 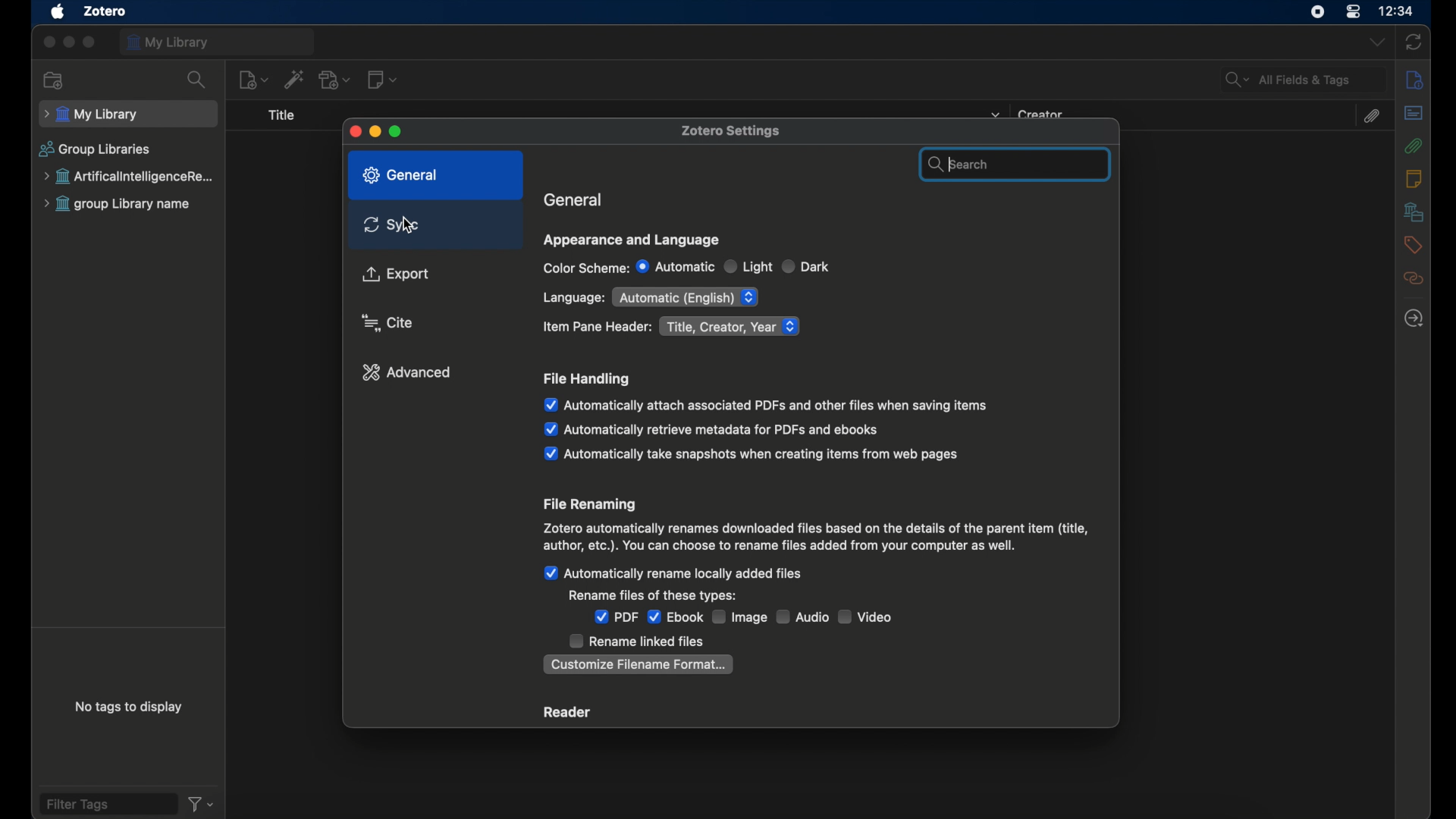 What do you see at coordinates (676, 266) in the screenshot?
I see `automatic` at bounding box center [676, 266].